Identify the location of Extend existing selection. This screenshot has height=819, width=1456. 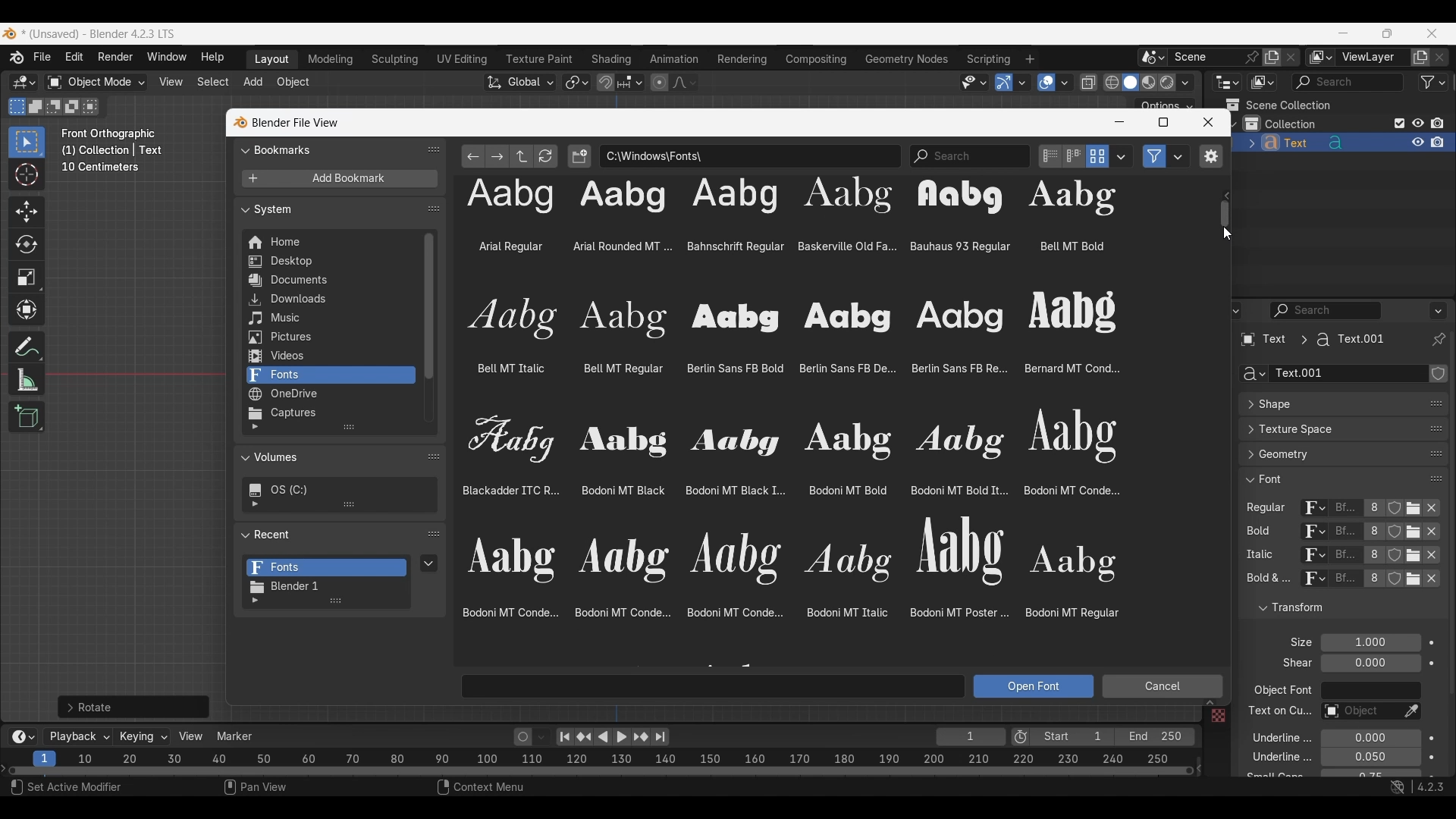
(36, 107).